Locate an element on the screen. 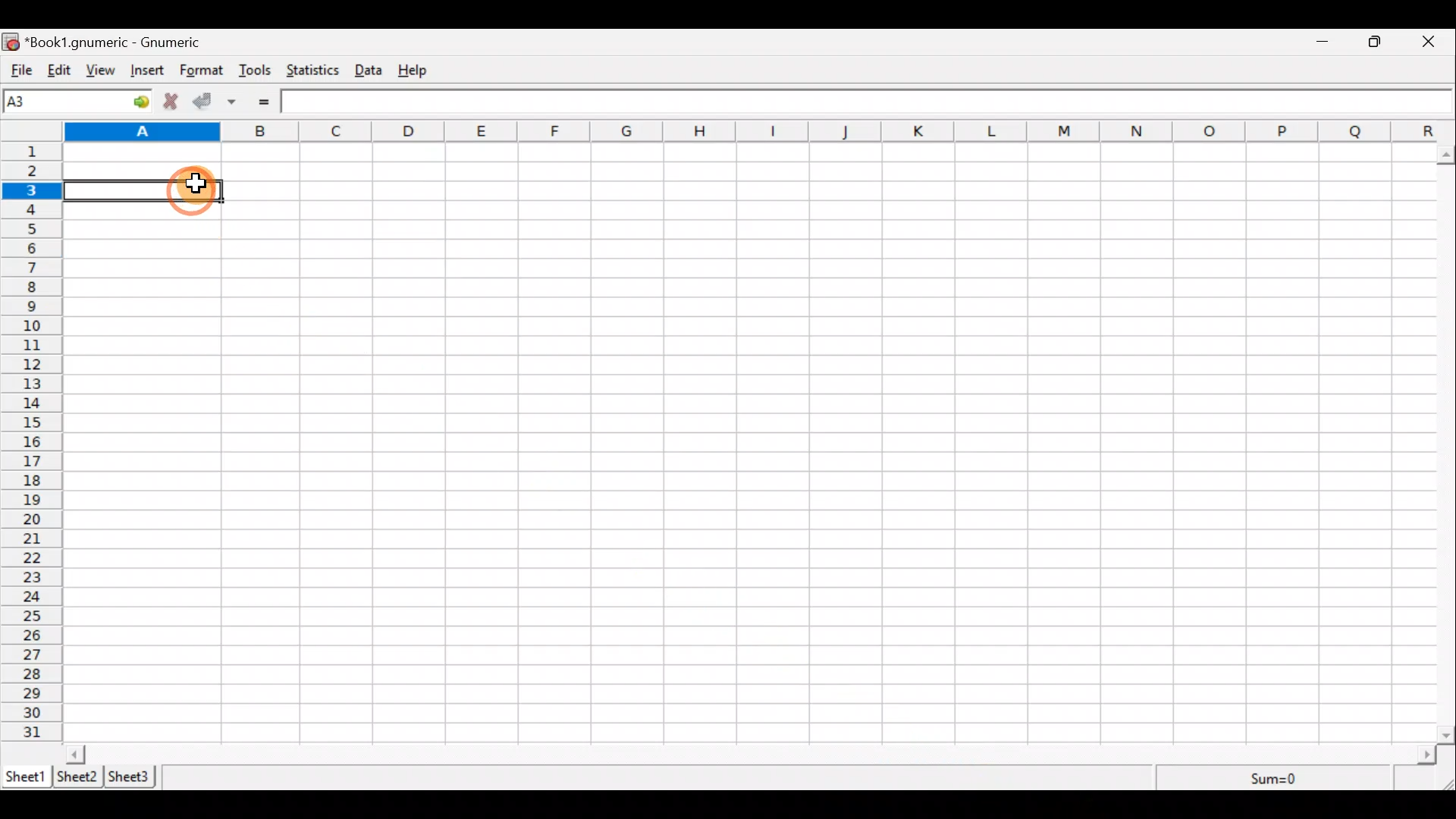  selected cell is located at coordinates (144, 190).